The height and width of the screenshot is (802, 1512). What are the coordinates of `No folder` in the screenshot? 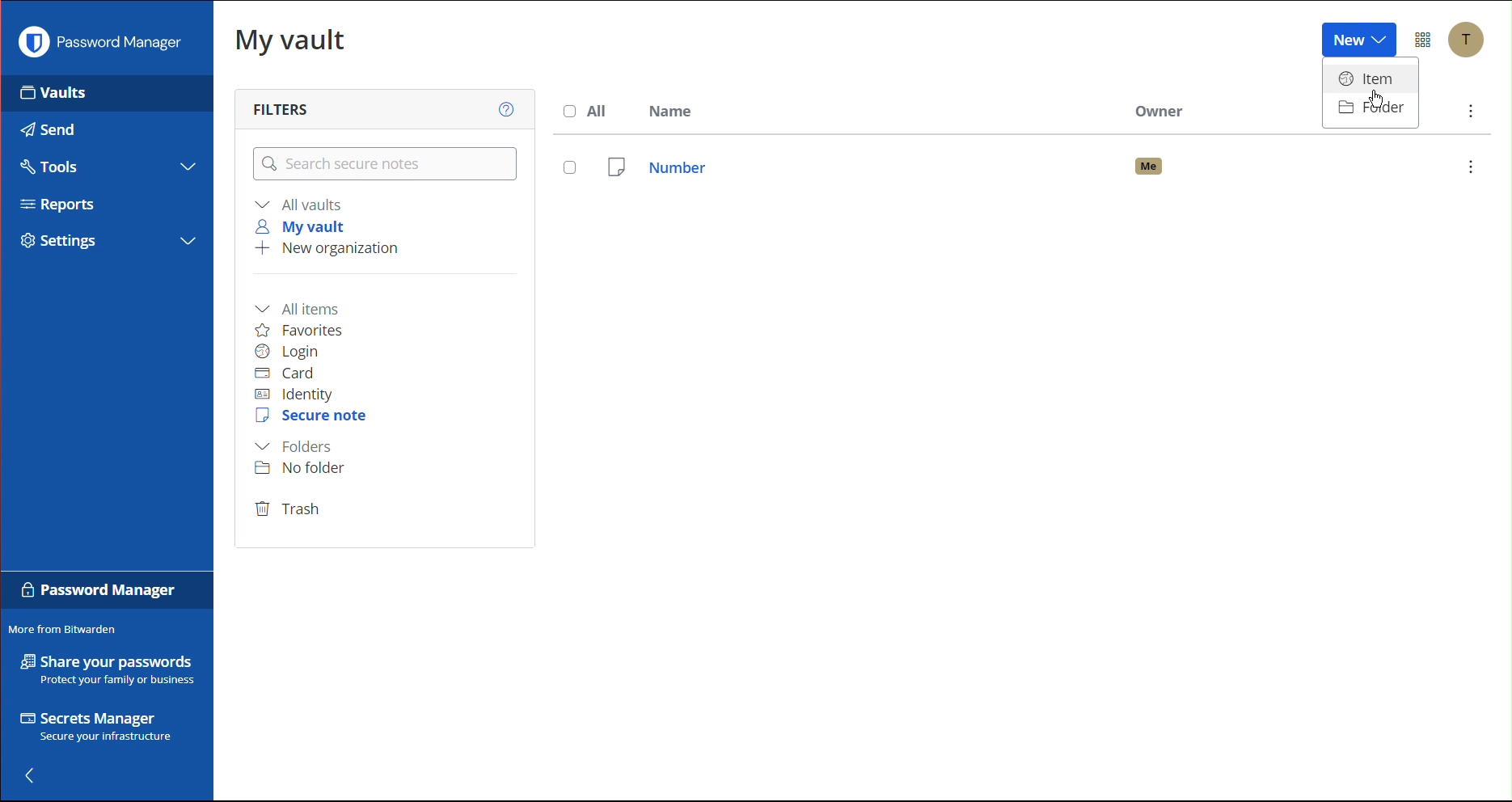 It's located at (305, 467).